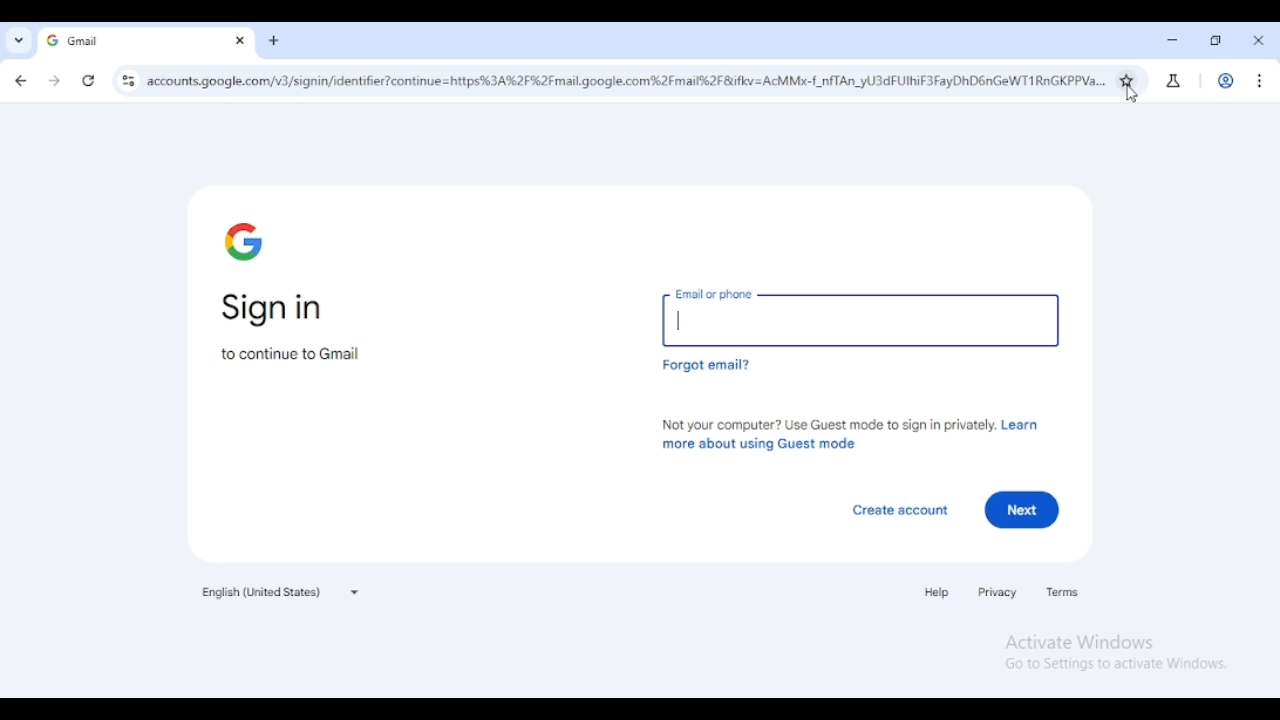  Describe the element at coordinates (1174, 81) in the screenshot. I see `search labs` at that location.